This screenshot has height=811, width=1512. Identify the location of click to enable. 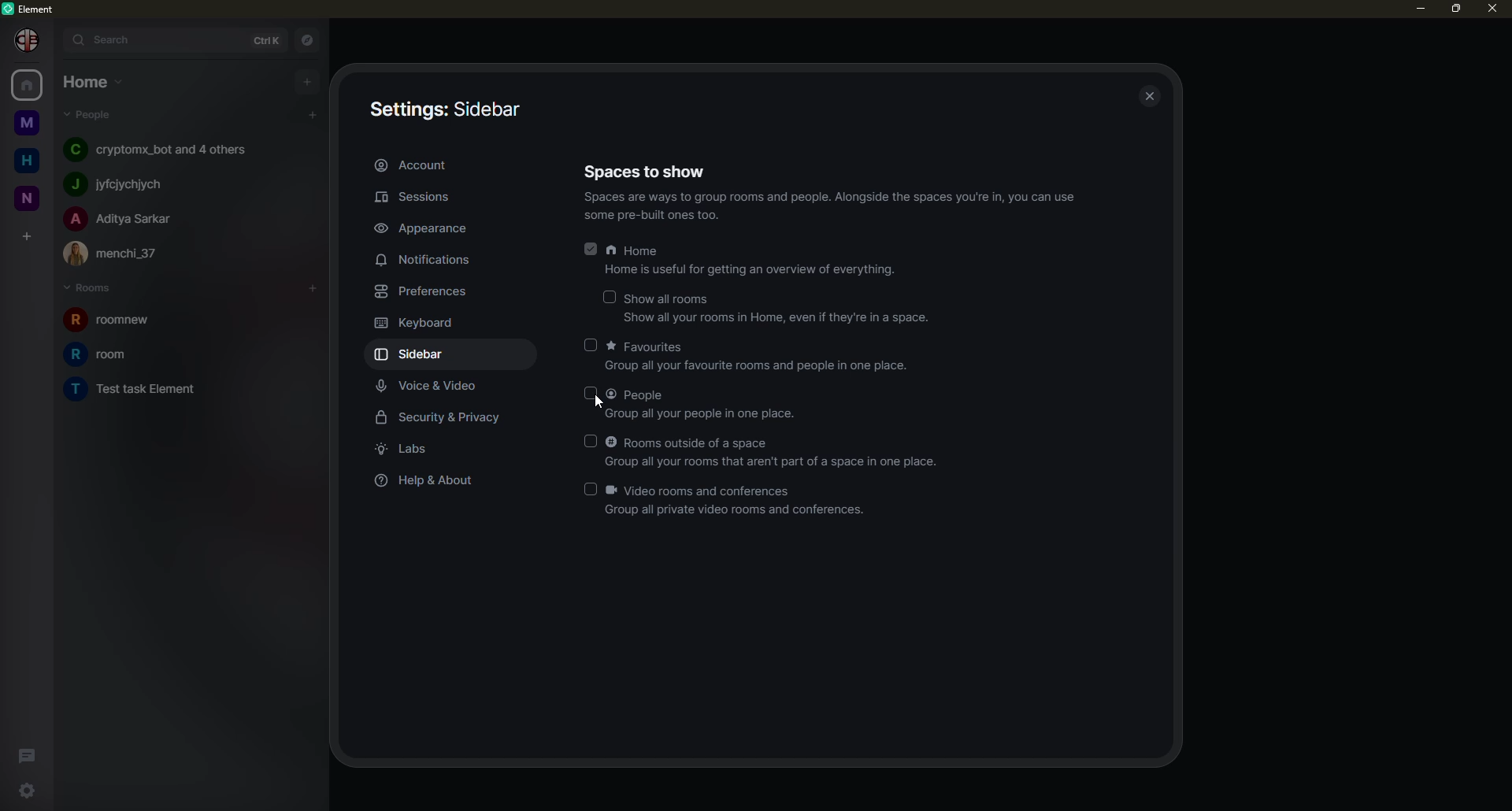
(589, 395).